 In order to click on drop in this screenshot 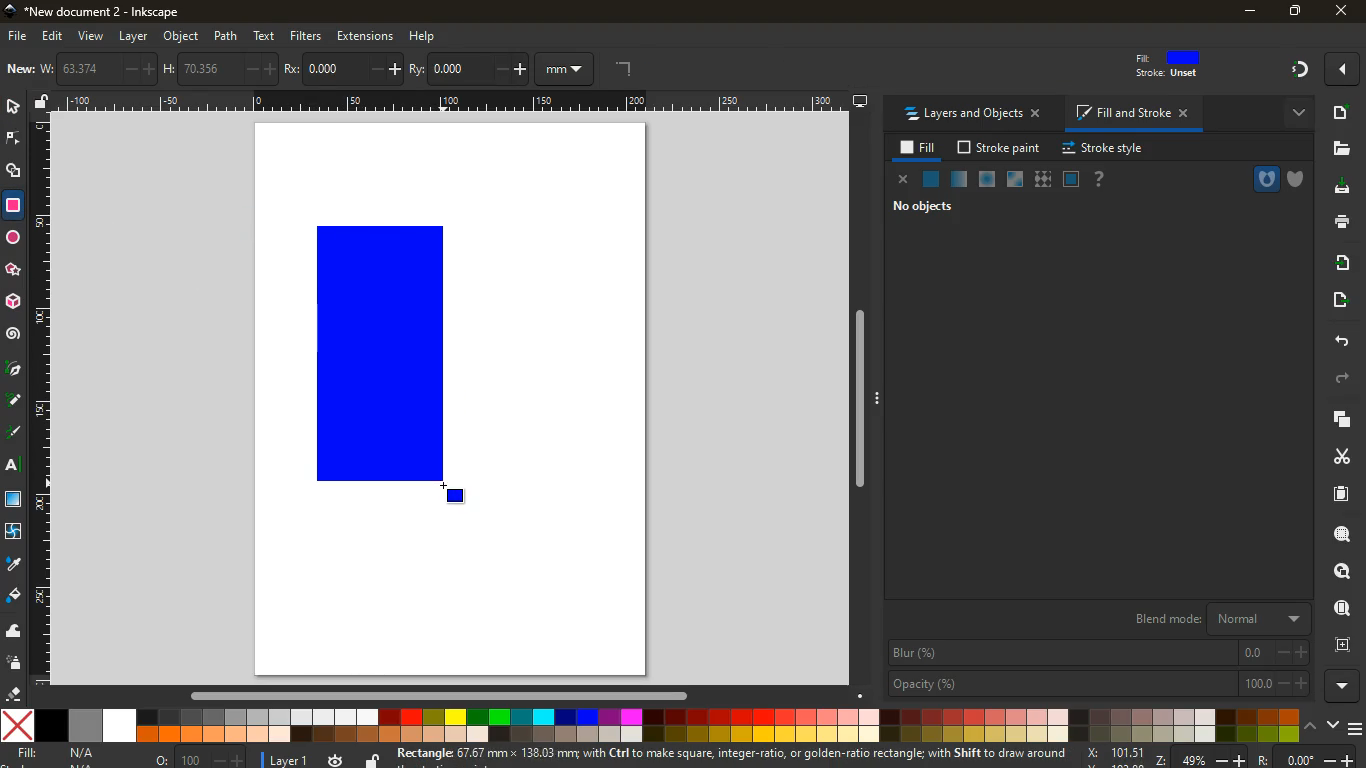, I will do `click(15, 563)`.